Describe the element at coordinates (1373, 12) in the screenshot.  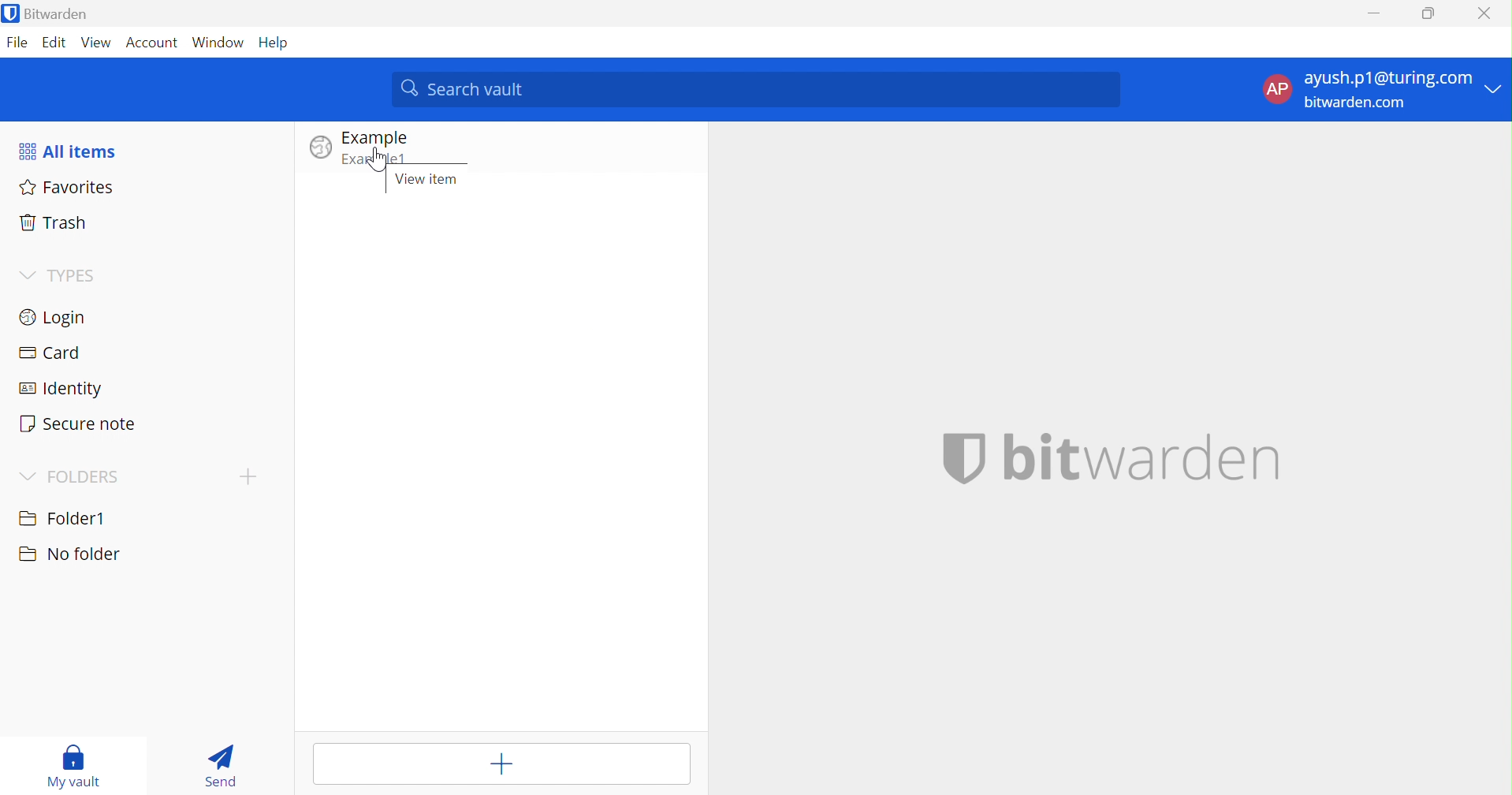
I see `Minimize` at that location.